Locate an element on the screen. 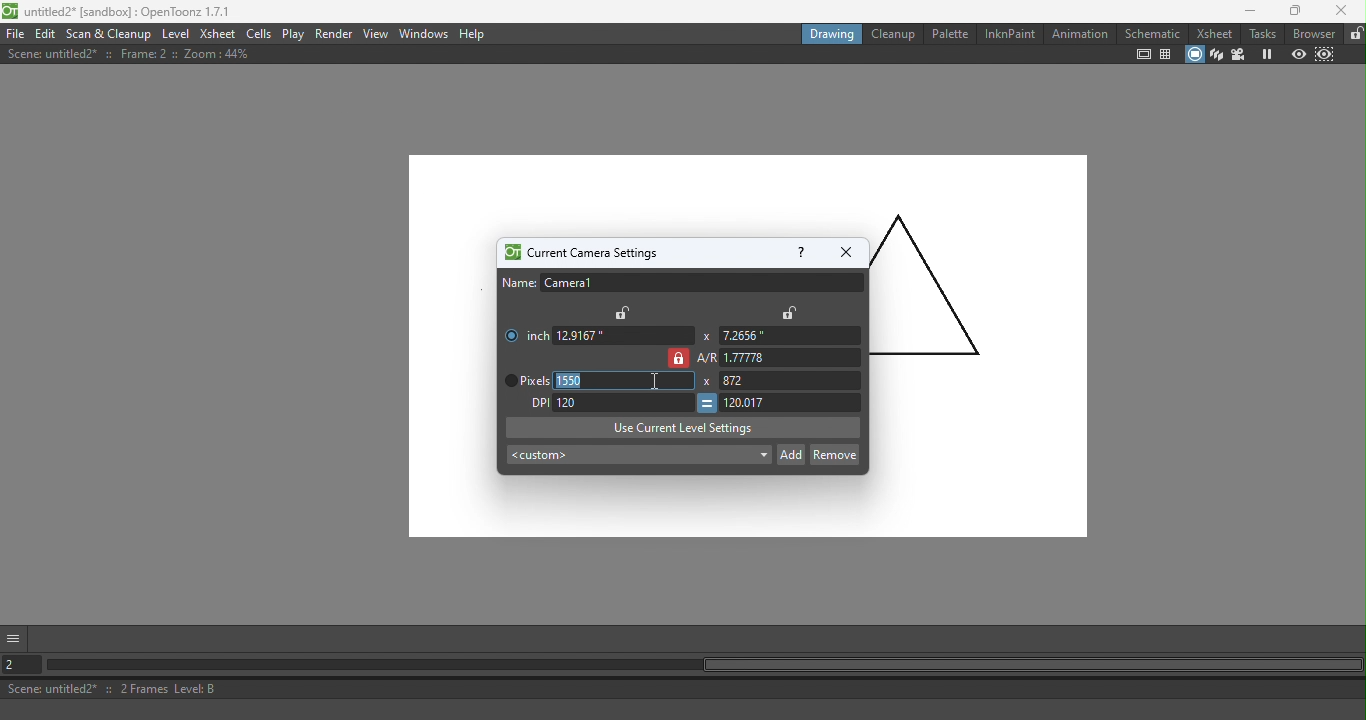 Image resolution: width=1366 pixels, height=720 pixels. Xsheet is located at coordinates (218, 33).